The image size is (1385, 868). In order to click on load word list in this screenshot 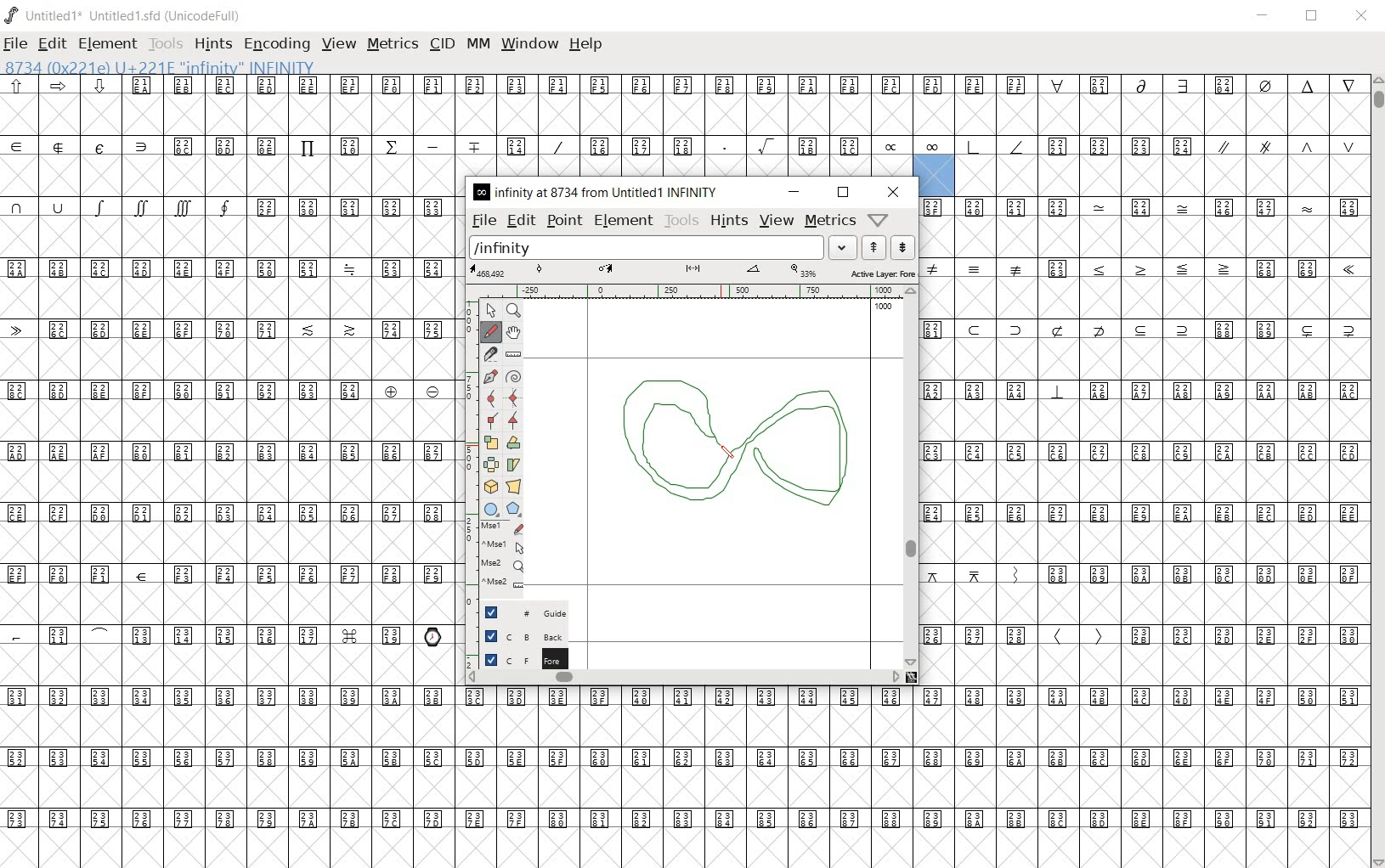, I will do `click(663, 247)`.